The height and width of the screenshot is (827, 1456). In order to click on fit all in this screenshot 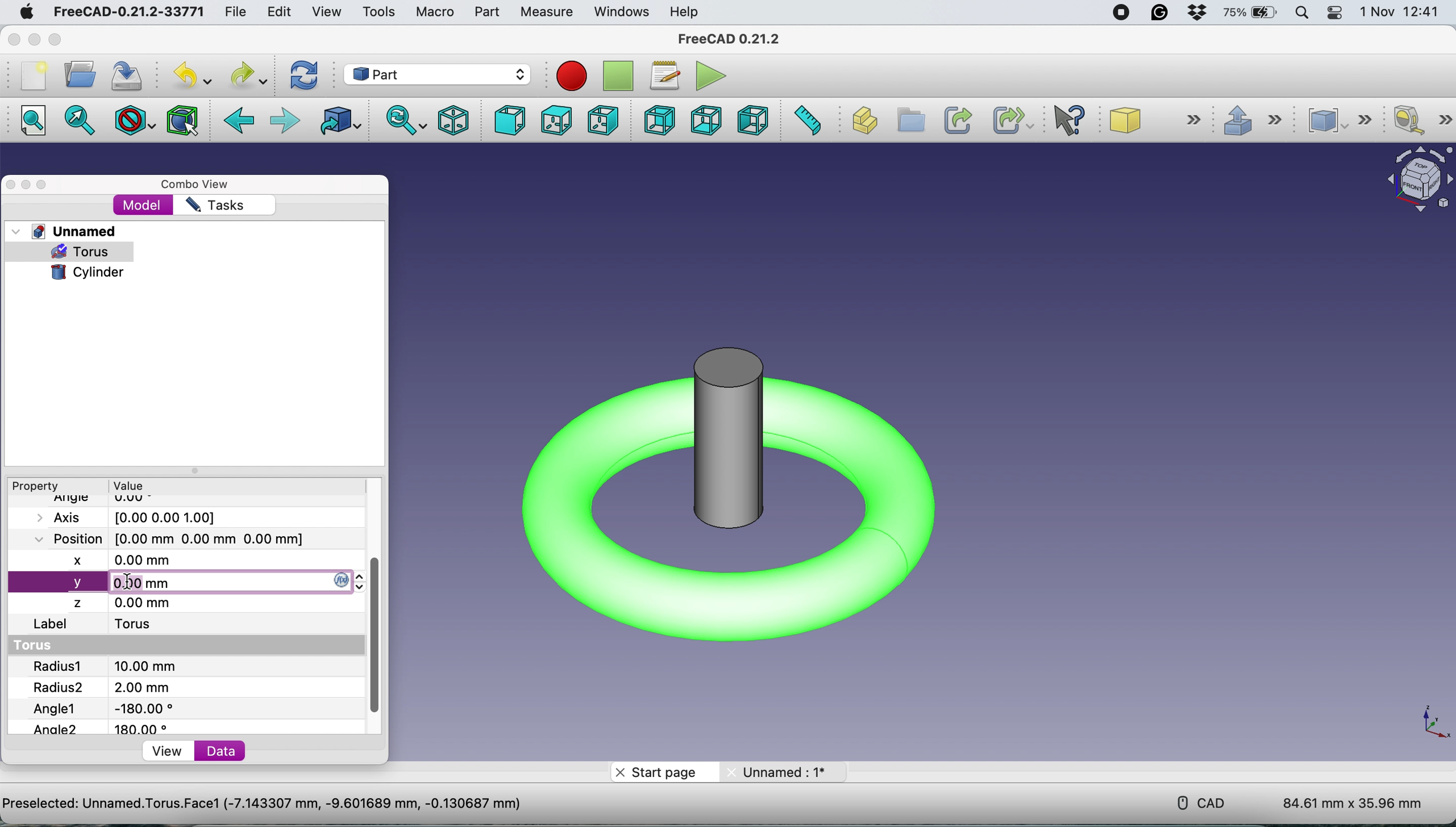, I will do `click(30, 120)`.